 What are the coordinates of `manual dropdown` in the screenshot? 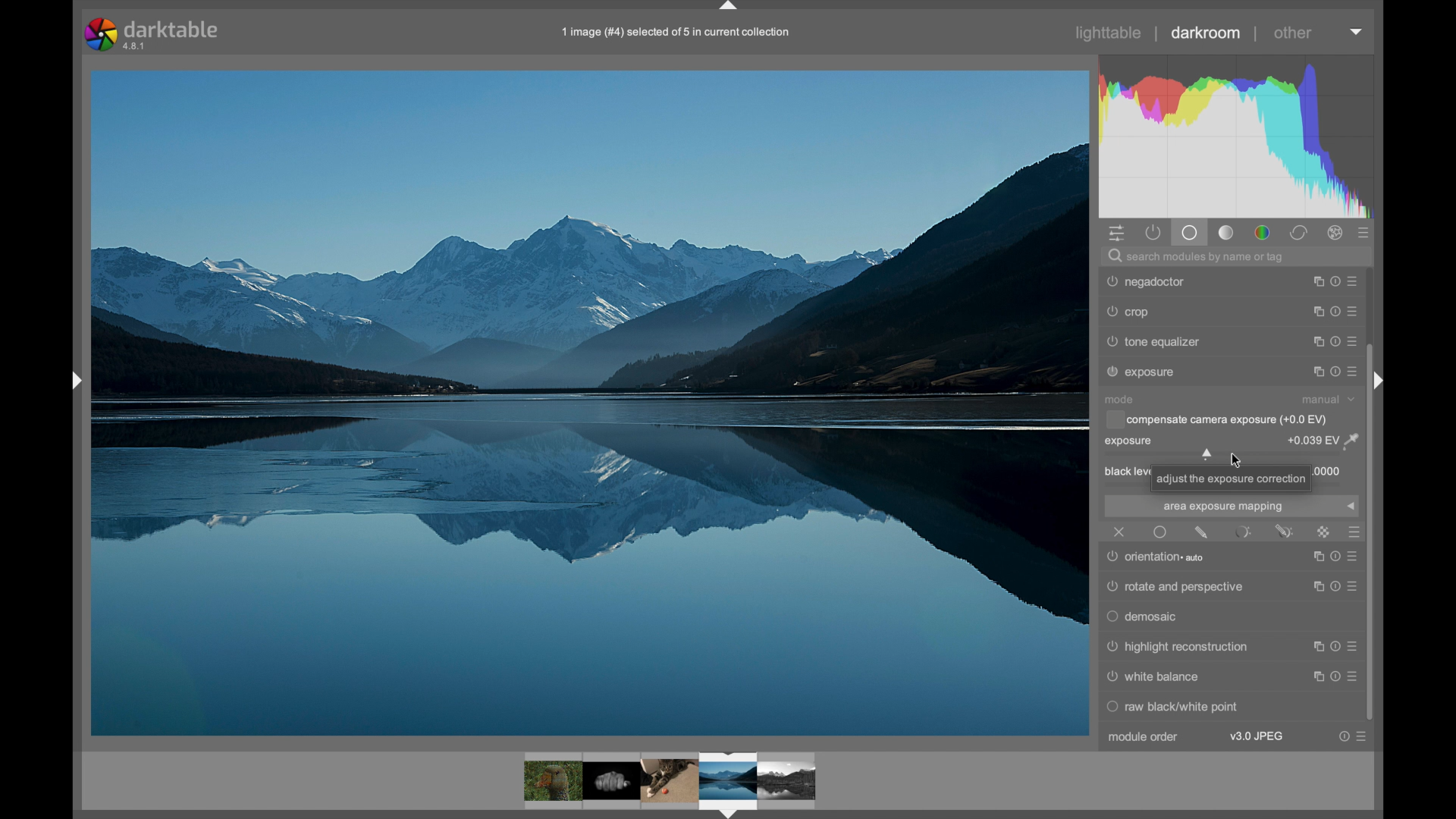 It's located at (1327, 399).